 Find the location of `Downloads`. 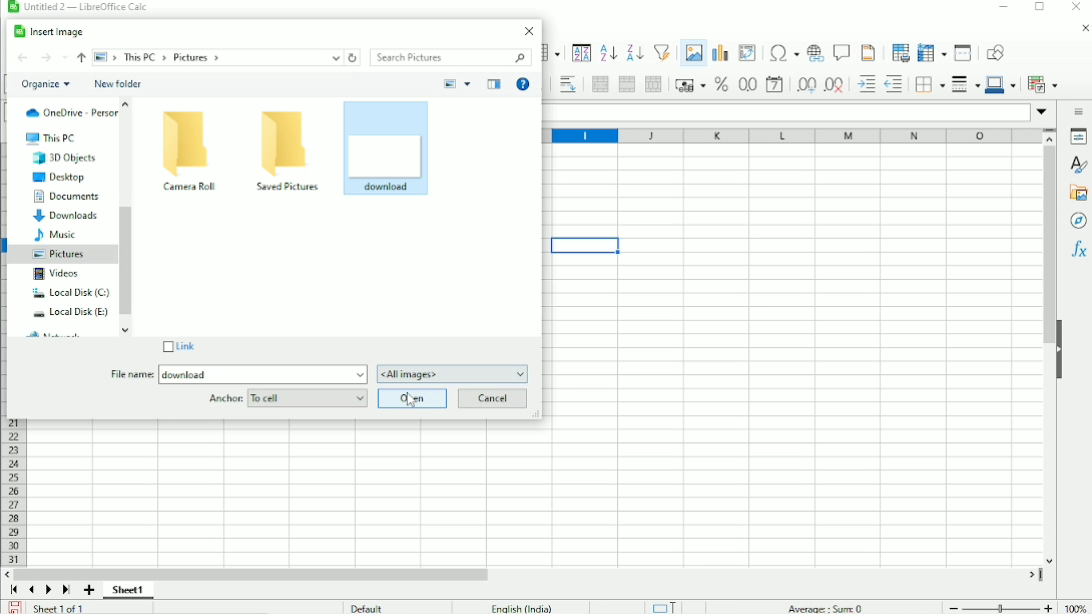

Downloads is located at coordinates (67, 215).